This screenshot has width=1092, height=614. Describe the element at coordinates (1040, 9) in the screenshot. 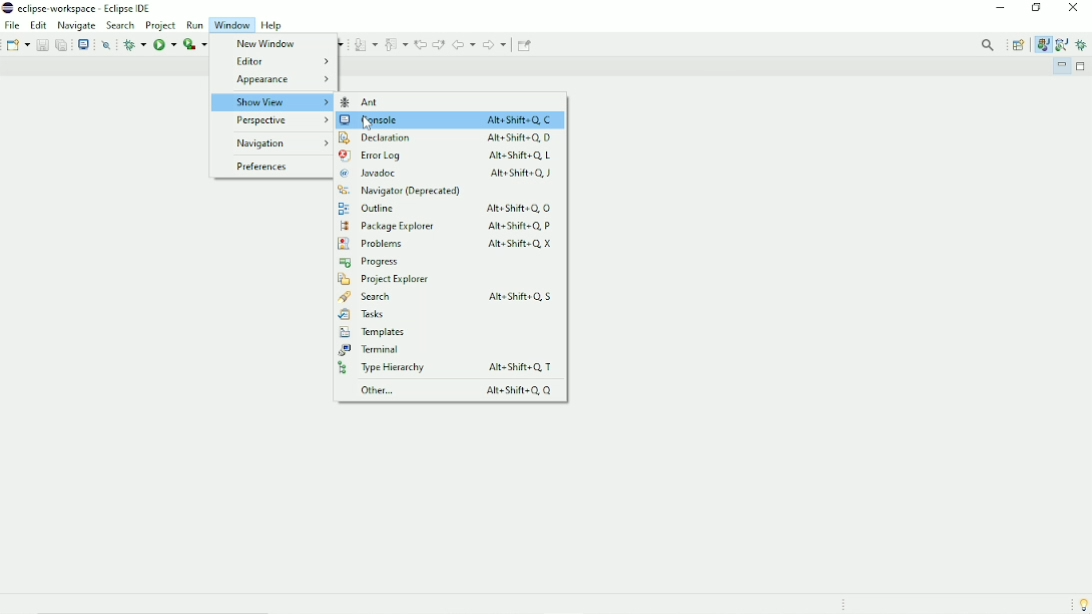

I see `Restore ` at that location.